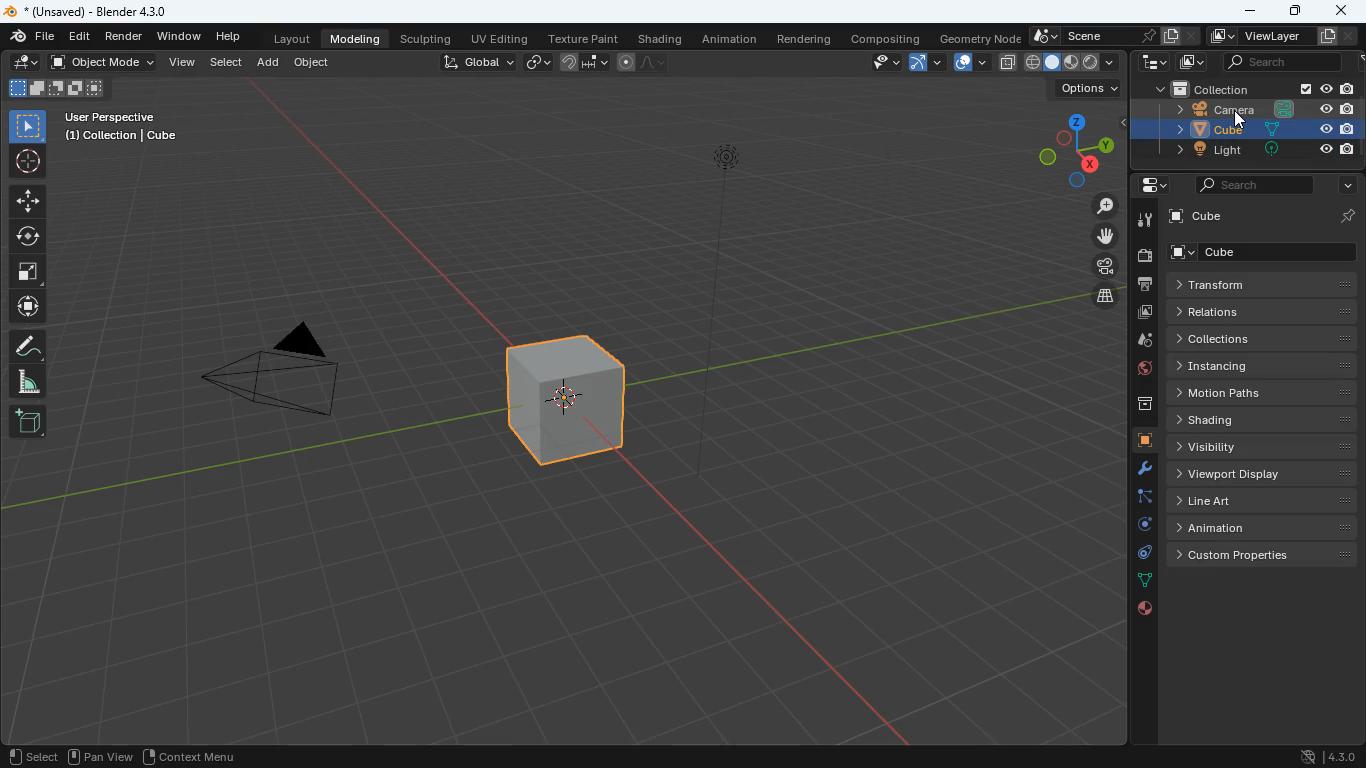  What do you see at coordinates (27, 235) in the screenshot?
I see `rotation` at bounding box center [27, 235].